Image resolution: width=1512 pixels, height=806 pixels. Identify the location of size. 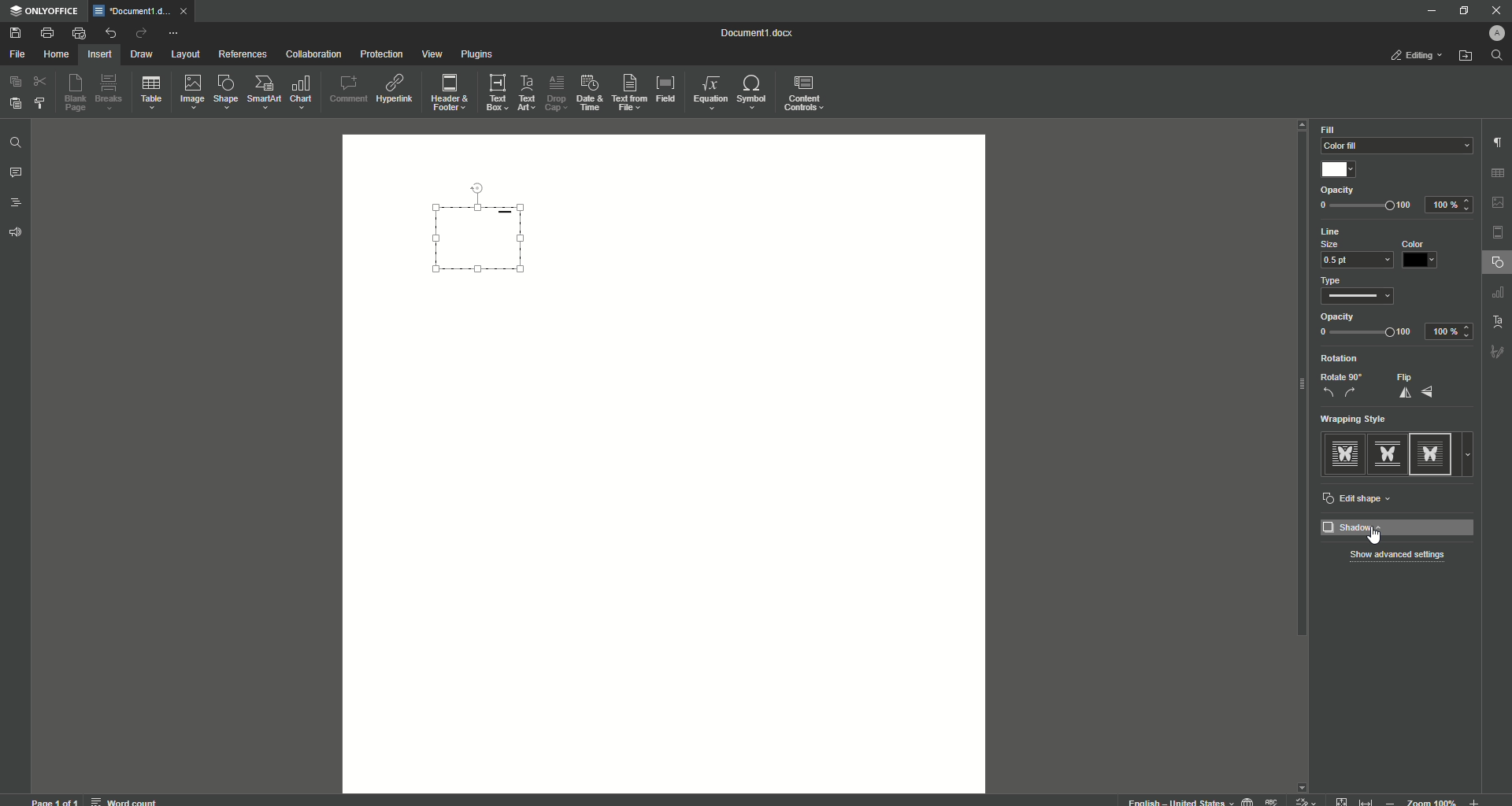
(1336, 244).